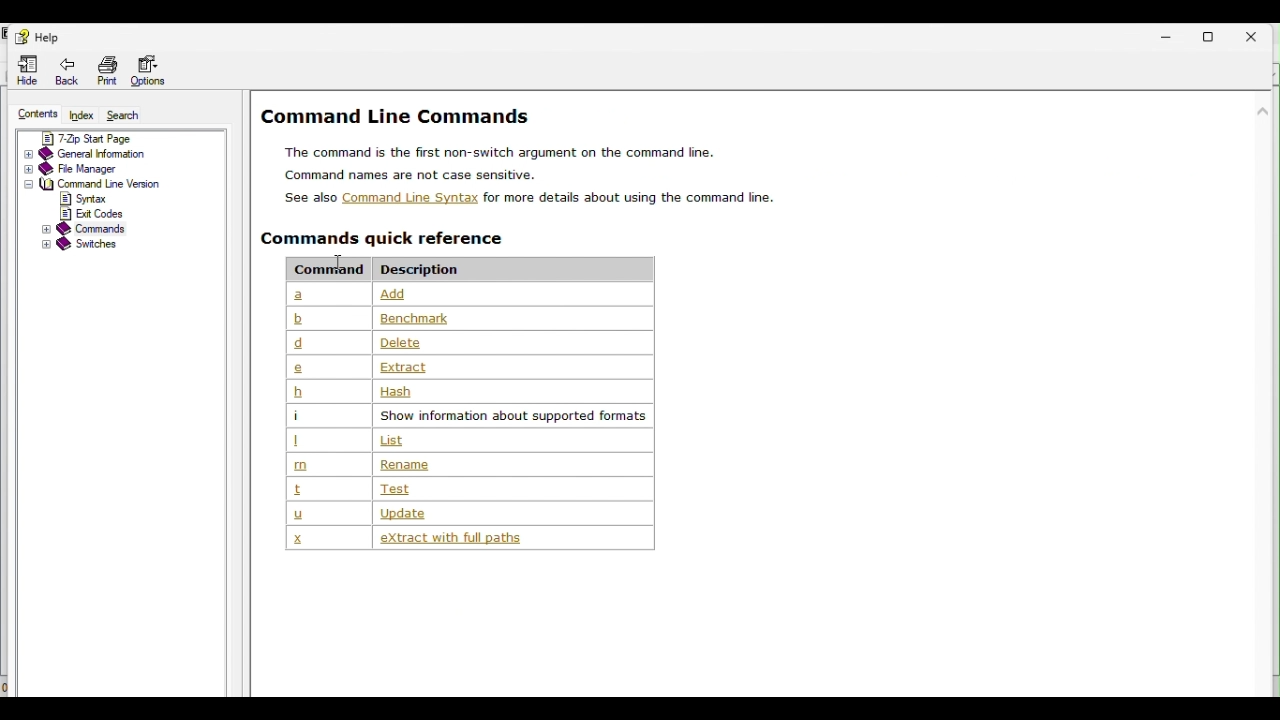  Describe the element at coordinates (512, 416) in the screenshot. I see `description` at that location.